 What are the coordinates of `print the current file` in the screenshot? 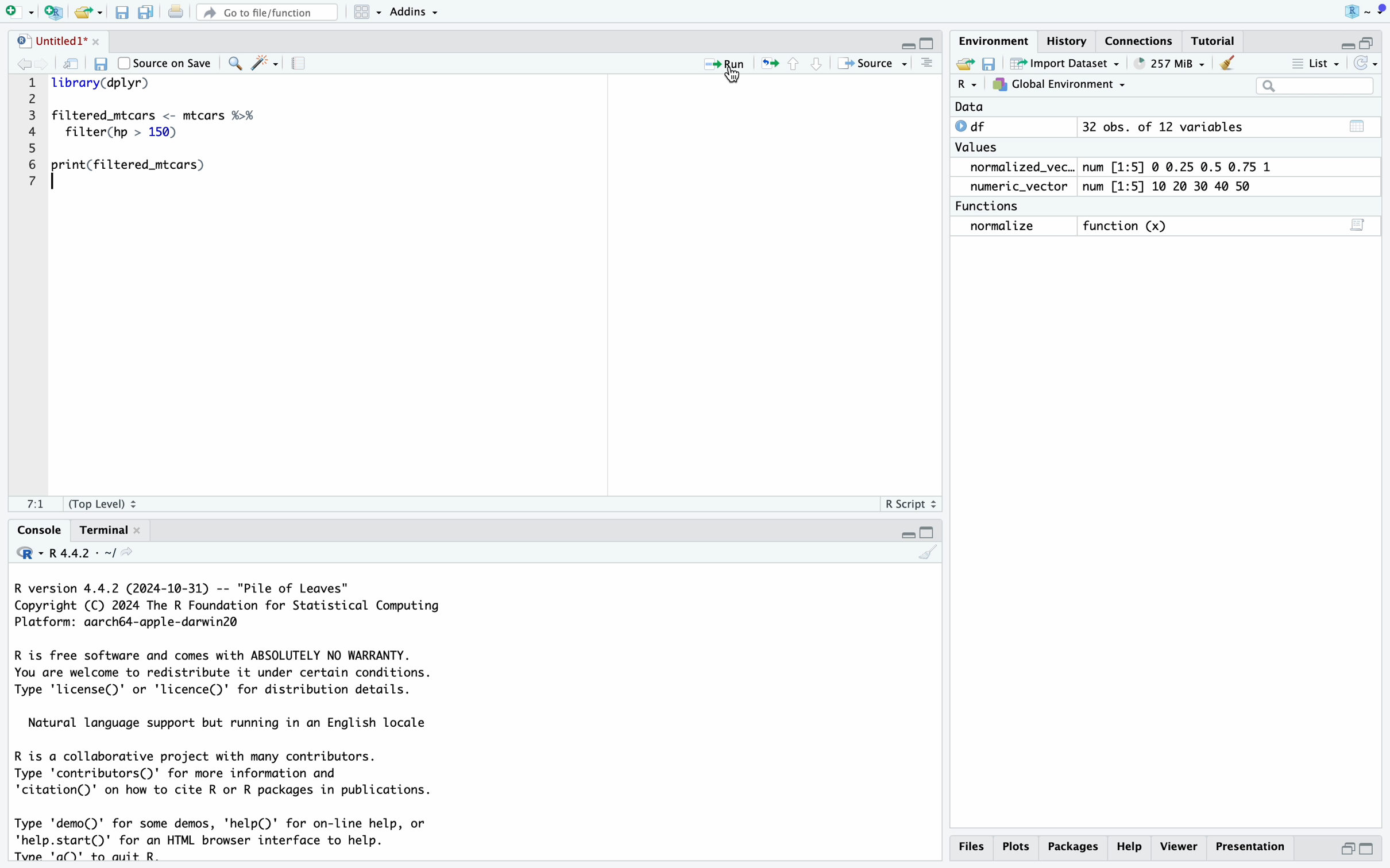 It's located at (177, 12).